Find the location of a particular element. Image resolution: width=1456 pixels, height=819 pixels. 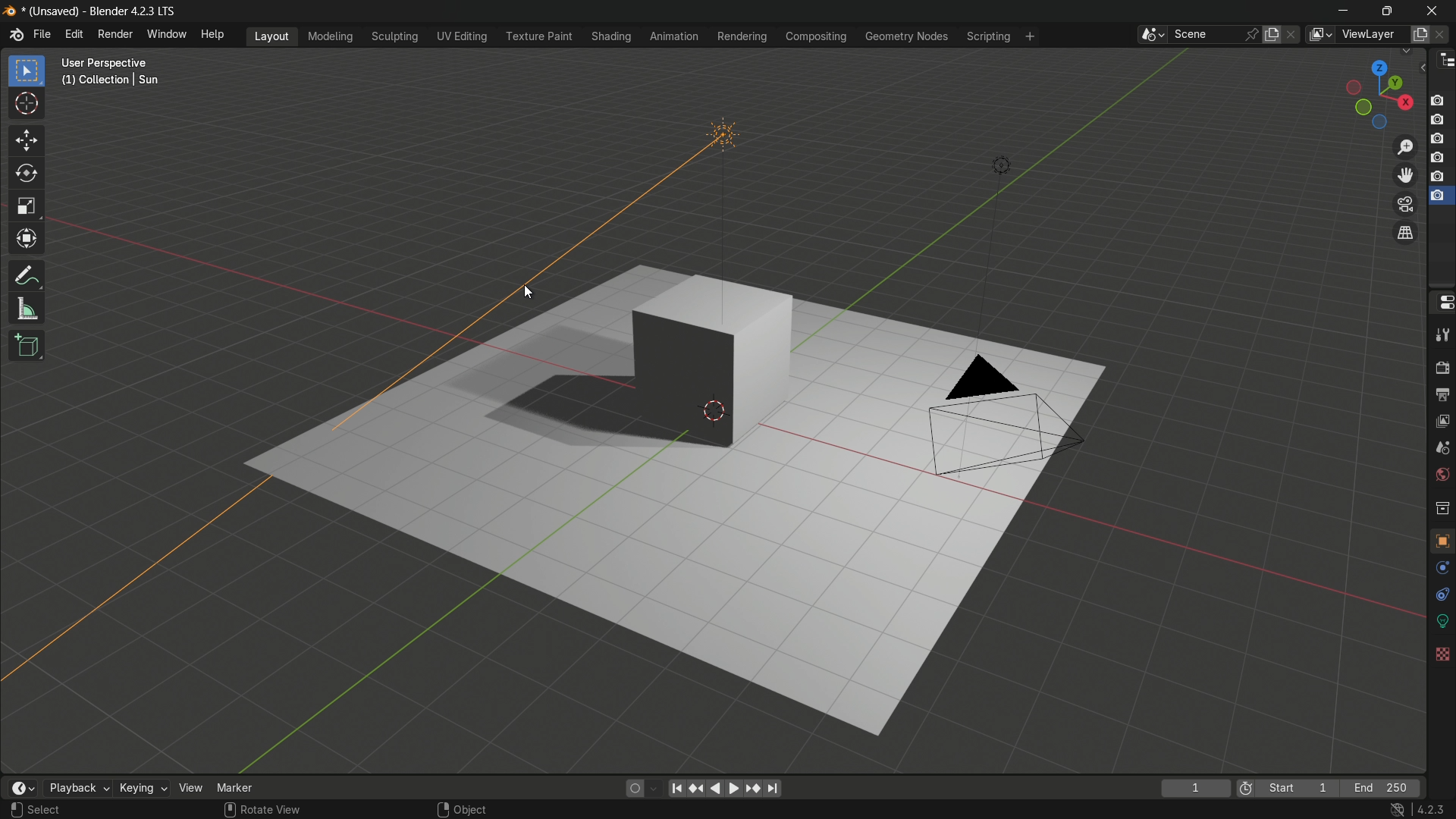

view layer is located at coordinates (1321, 35).